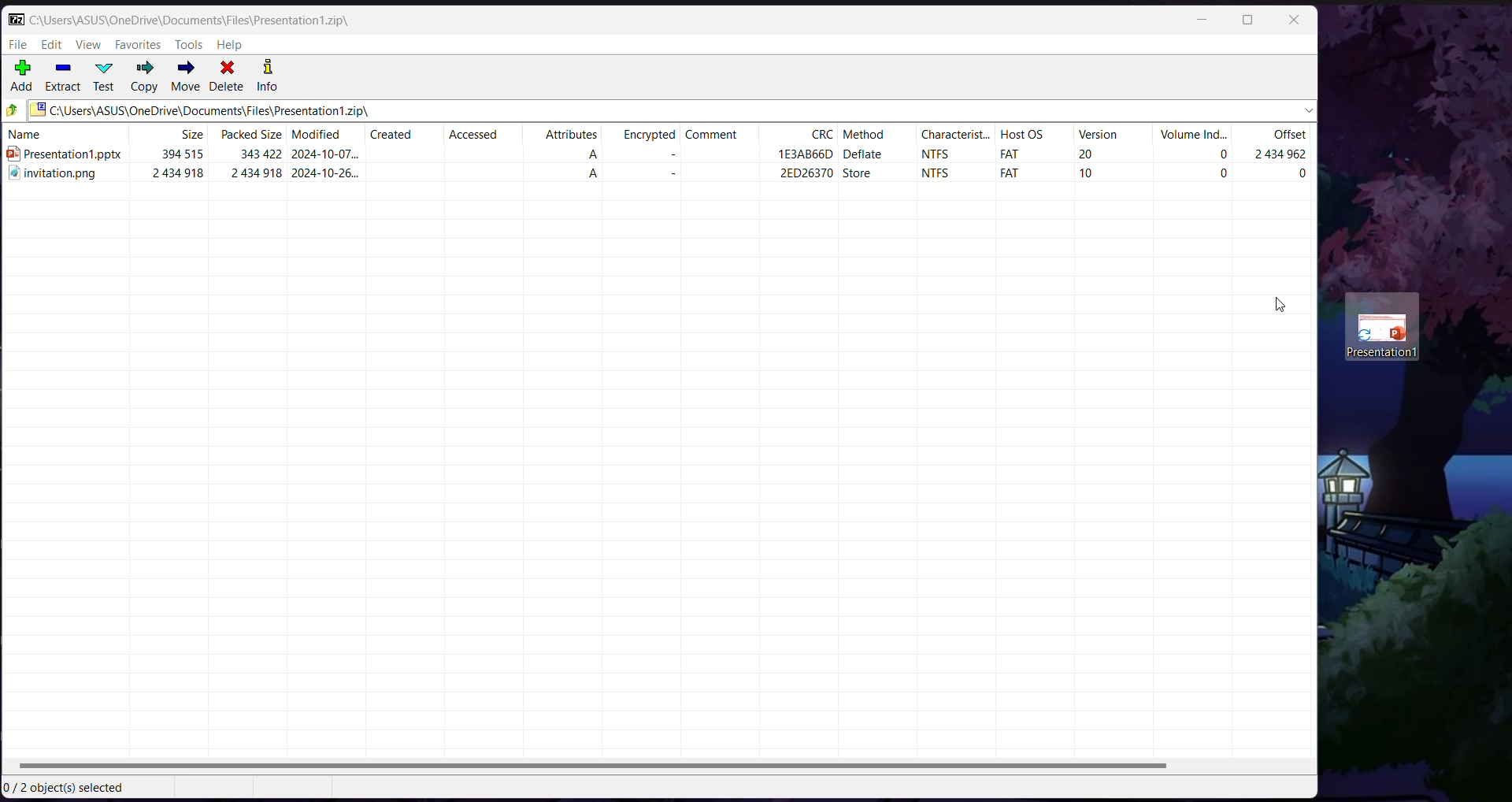  I want to click on Favorites, so click(139, 45).